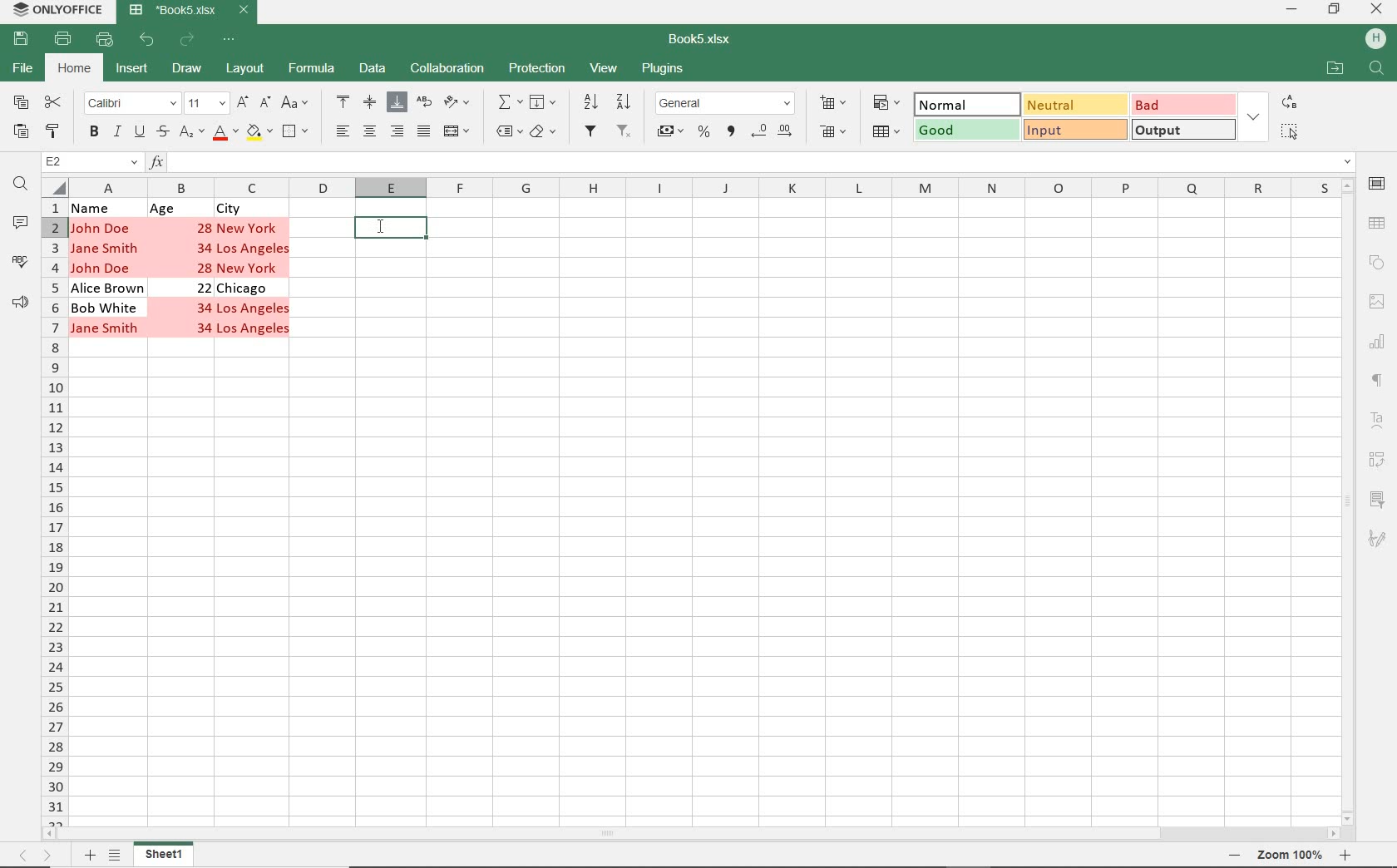 The image size is (1397, 868). What do you see at coordinates (53, 132) in the screenshot?
I see `COPY STYLE` at bounding box center [53, 132].